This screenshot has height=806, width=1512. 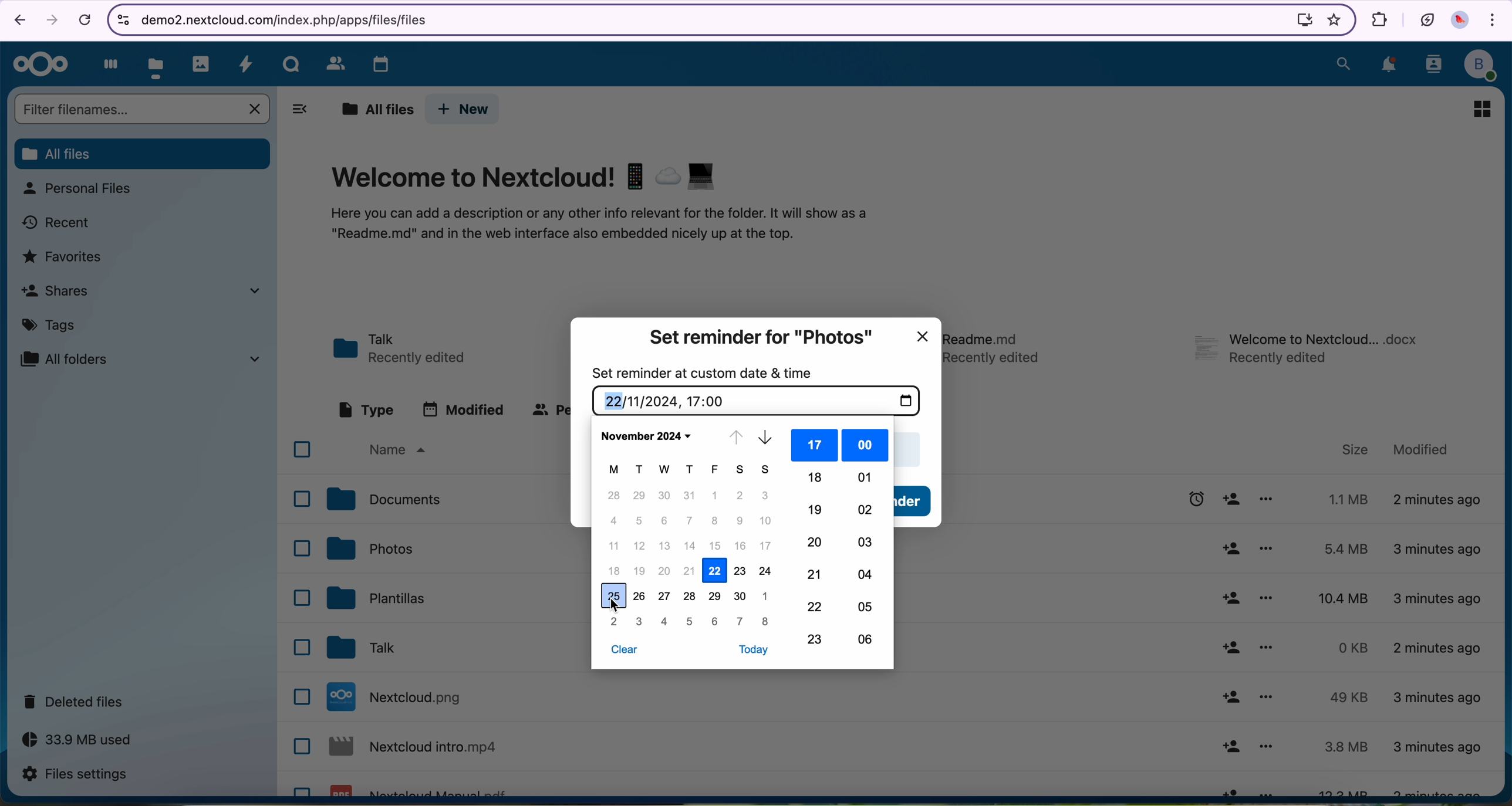 I want to click on 2 minutes ago, so click(x=1440, y=597).